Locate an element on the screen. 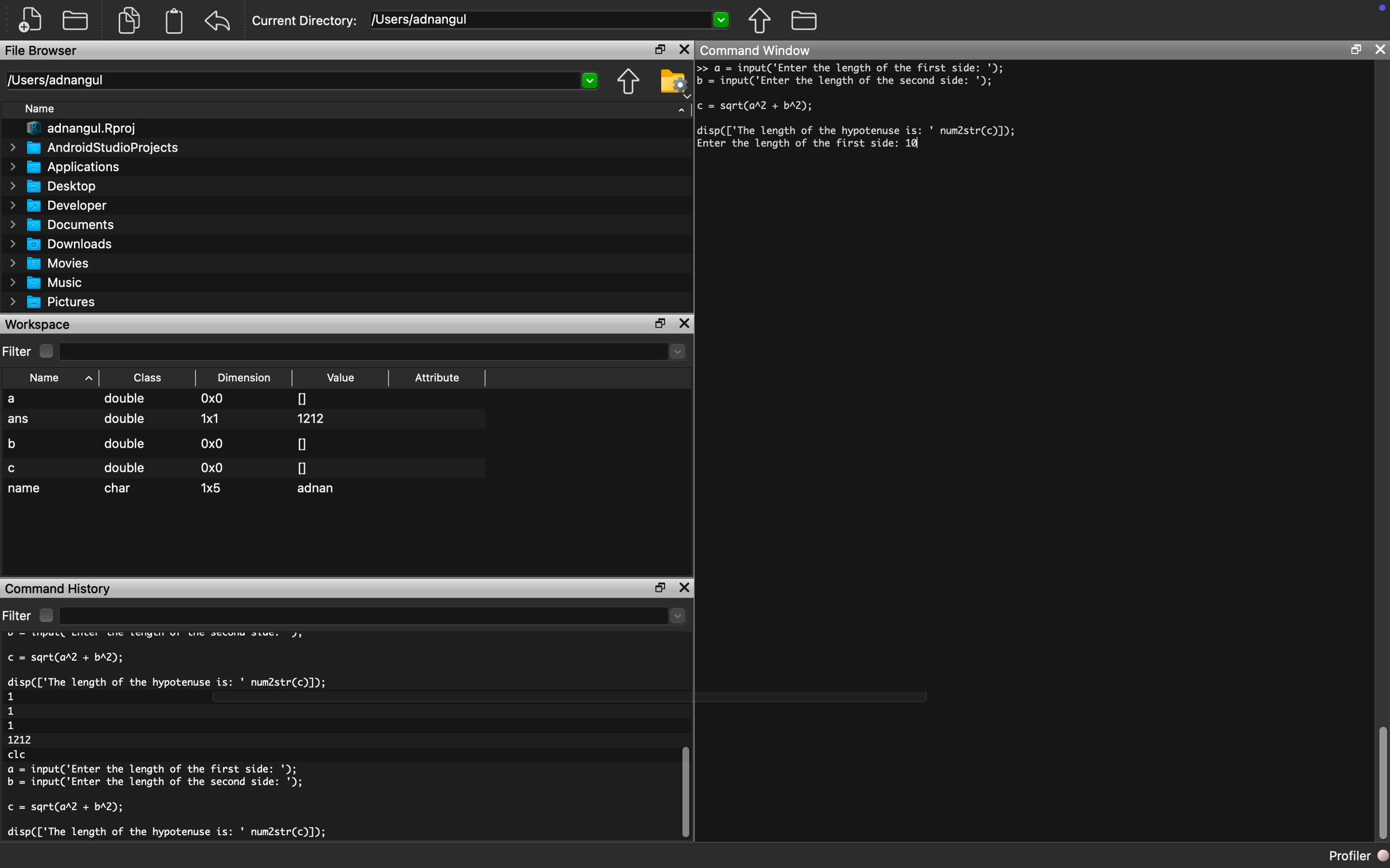 Image resolution: width=1390 pixels, height=868 pixels. close is located at coordinates (687, 324).